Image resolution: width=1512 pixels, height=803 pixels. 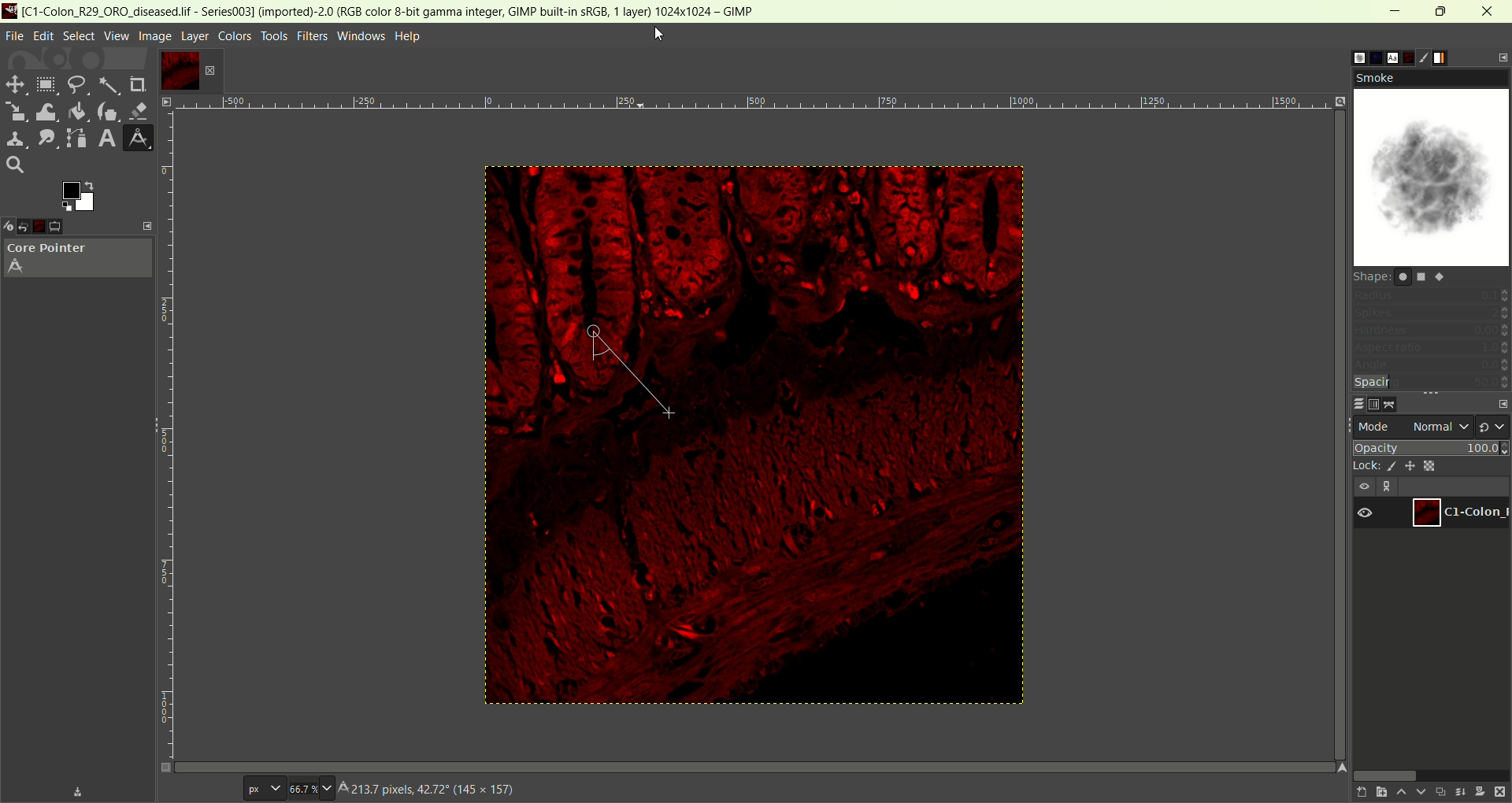 What do you see at coordinates (13, 109) in the screenshot?
I see `scale` at bounding box center [13, 109].